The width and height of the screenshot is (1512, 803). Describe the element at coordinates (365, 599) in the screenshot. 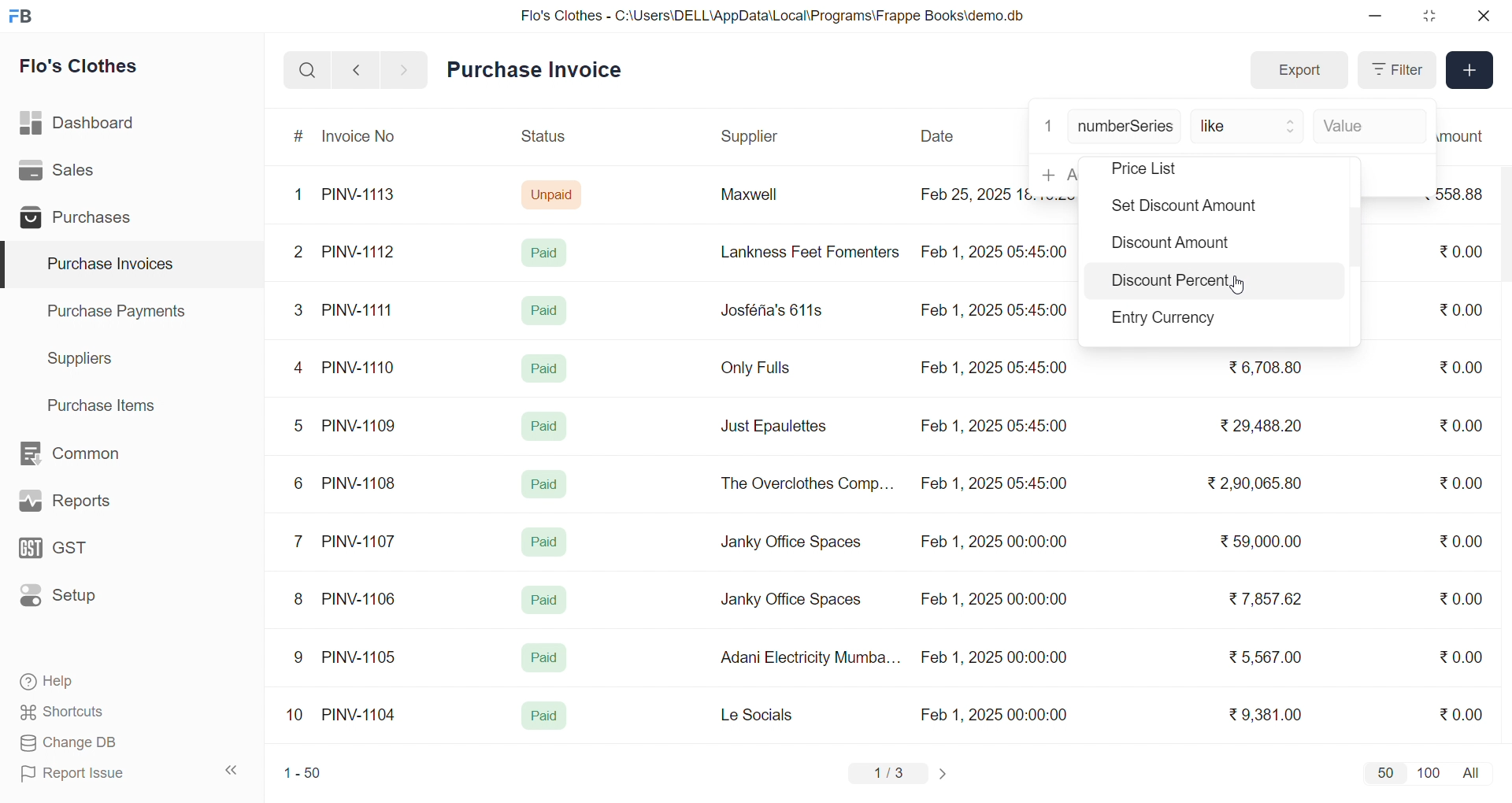

I see `PINV-1106` at that location.